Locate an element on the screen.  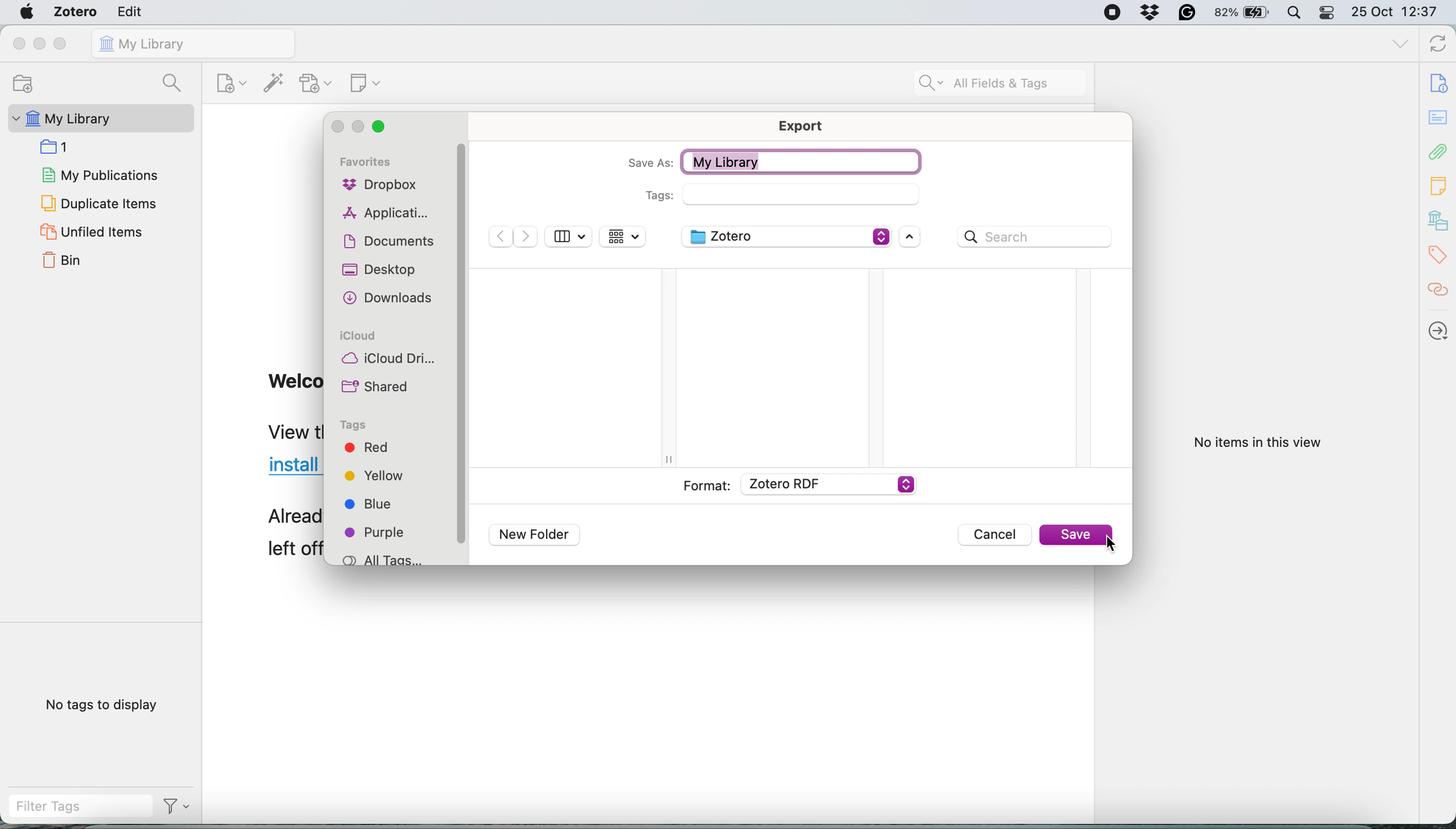
All Tags is located at coordinates (382, 557).